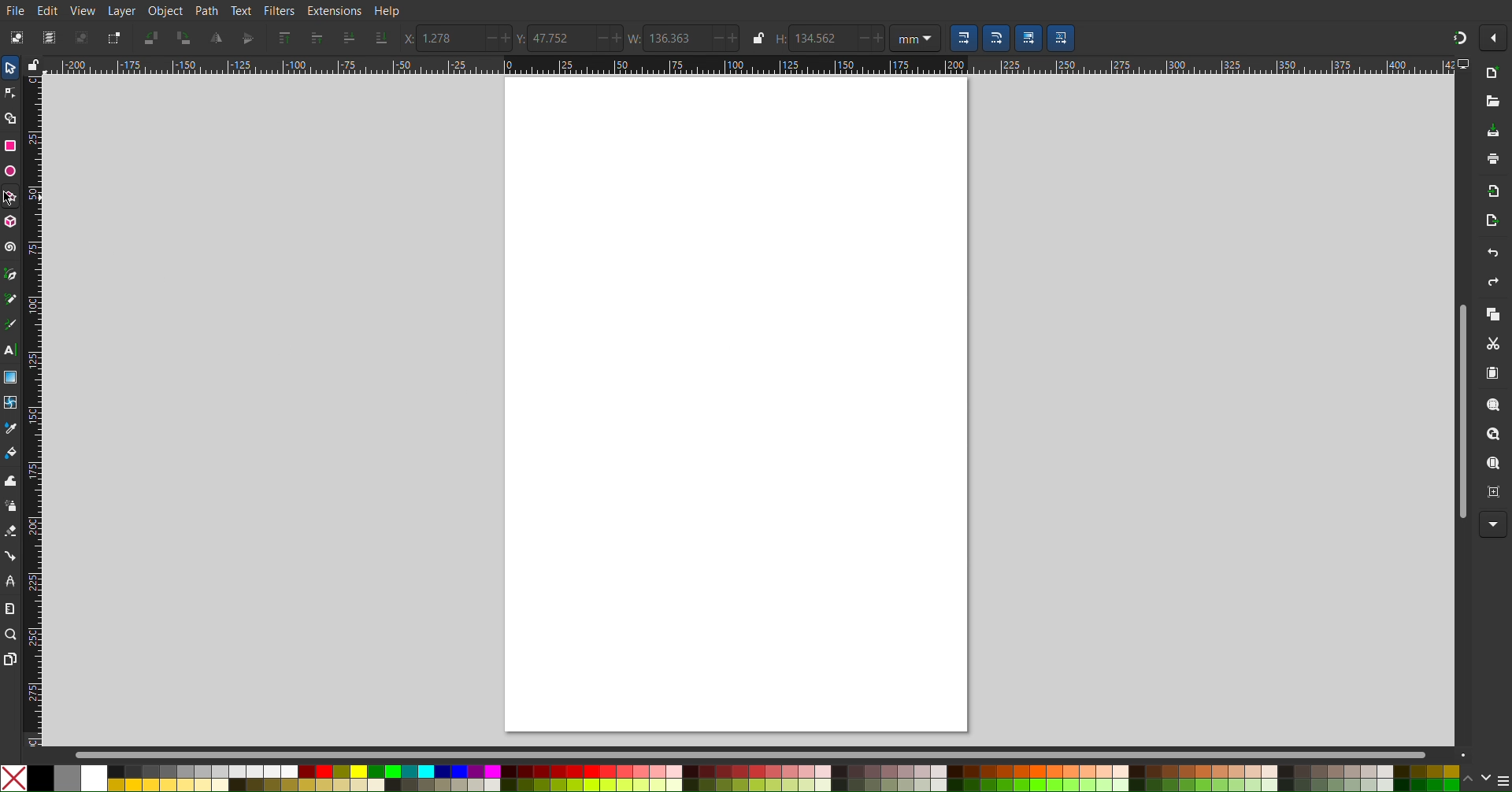  I want to click on Zoom Page, so click(1494, 464).